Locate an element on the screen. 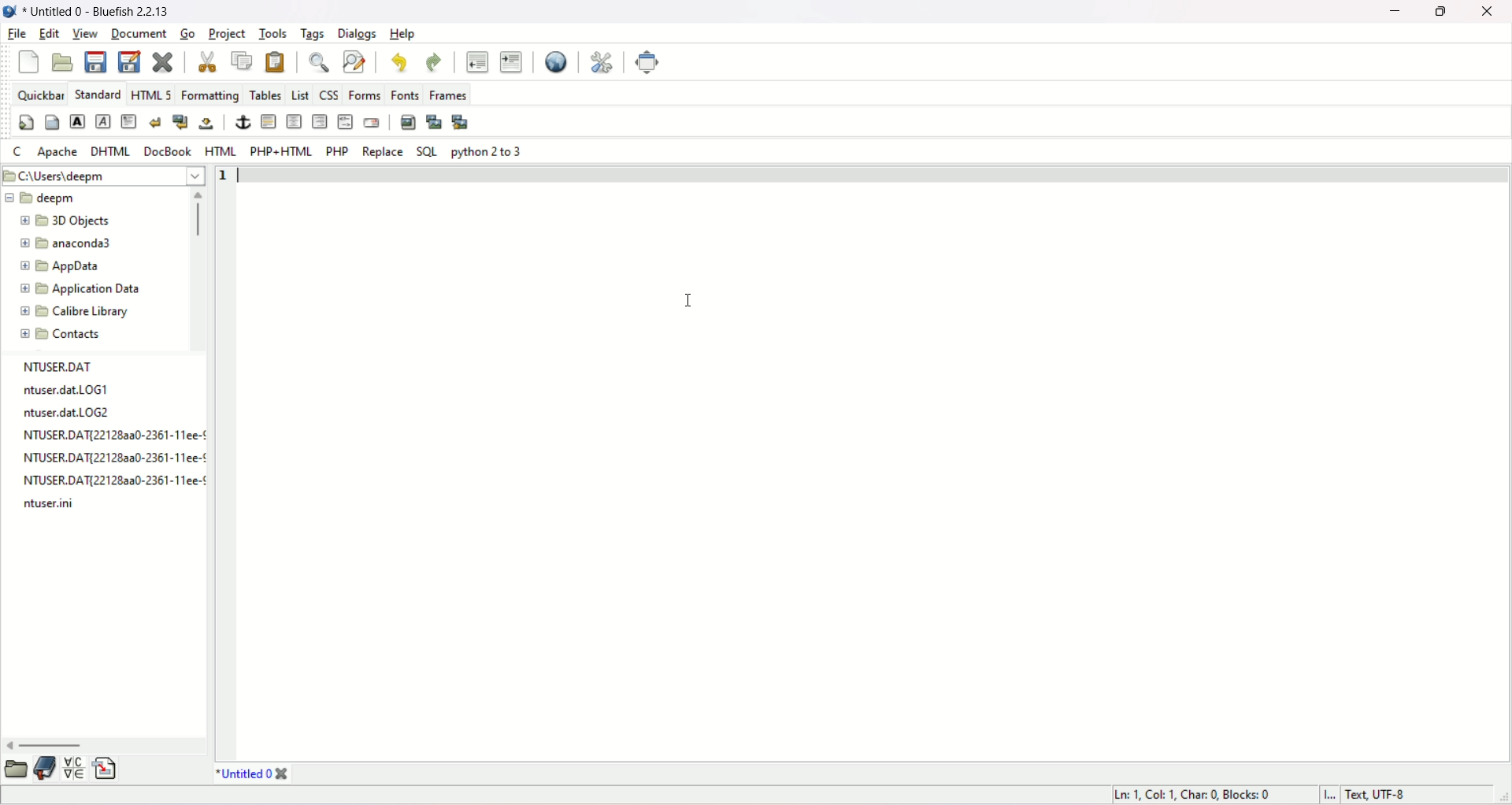  edit is located at coordinates (47, 34).